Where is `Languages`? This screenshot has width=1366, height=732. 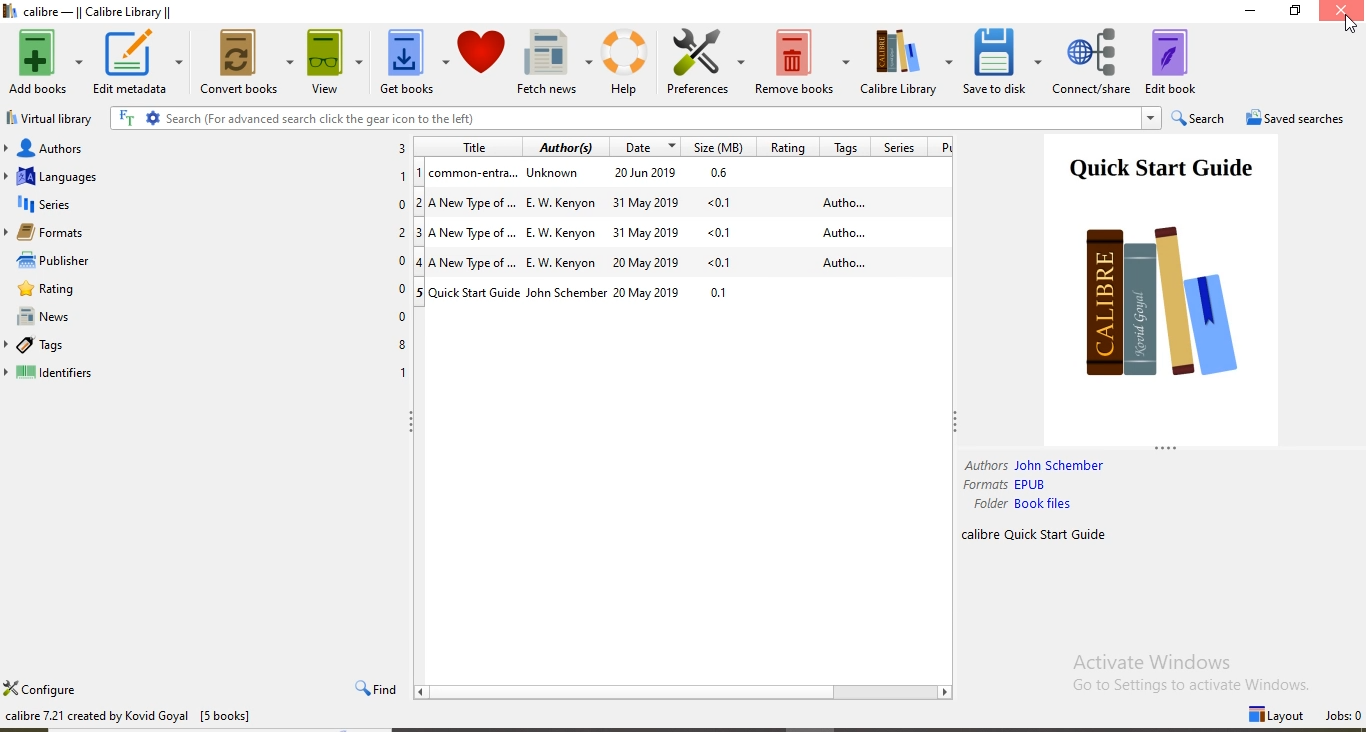
Languages is located at coordinates (206, 175).